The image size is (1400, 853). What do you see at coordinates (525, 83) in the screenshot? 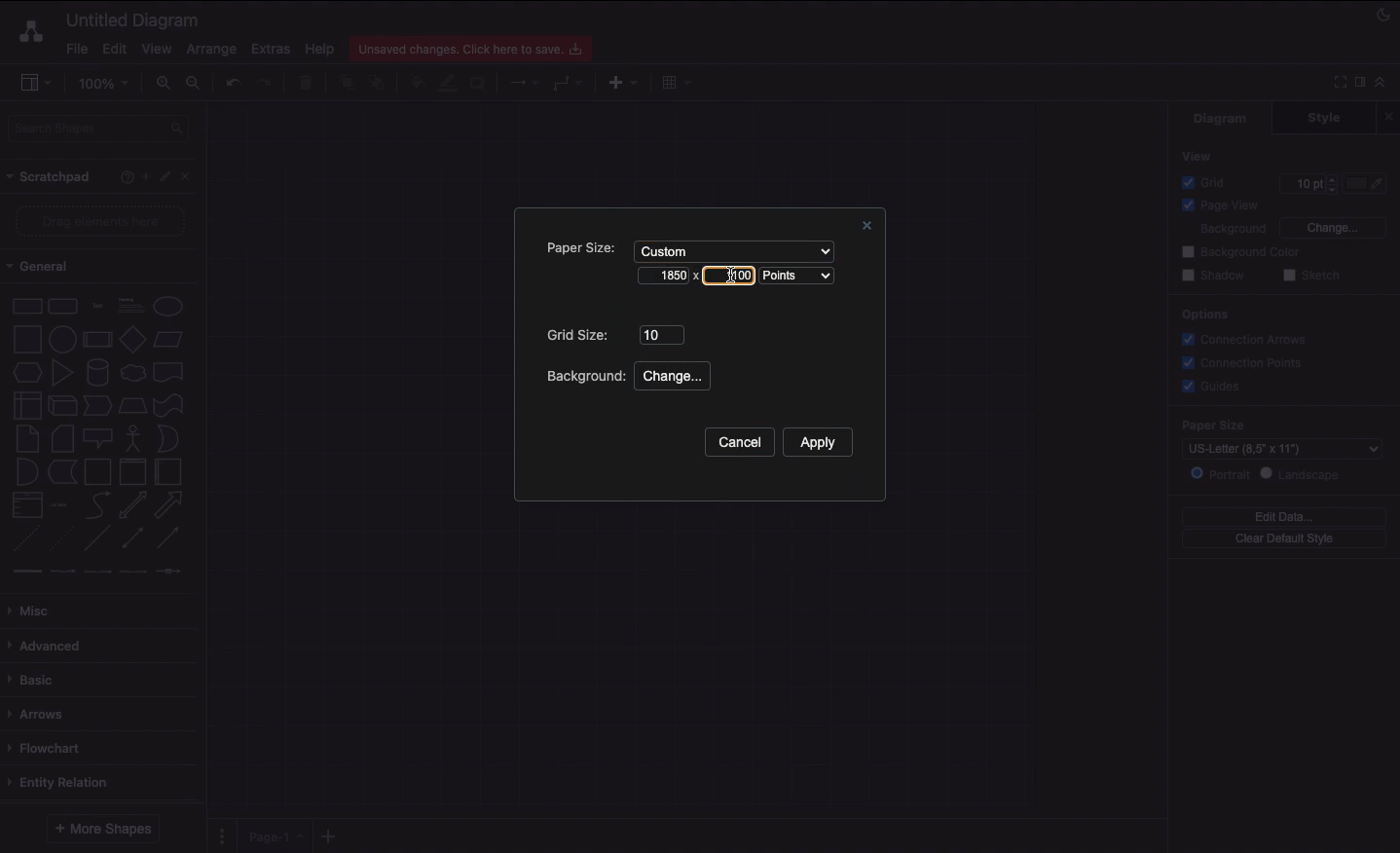
I see `Connection ` at bounding box center [525, 83].